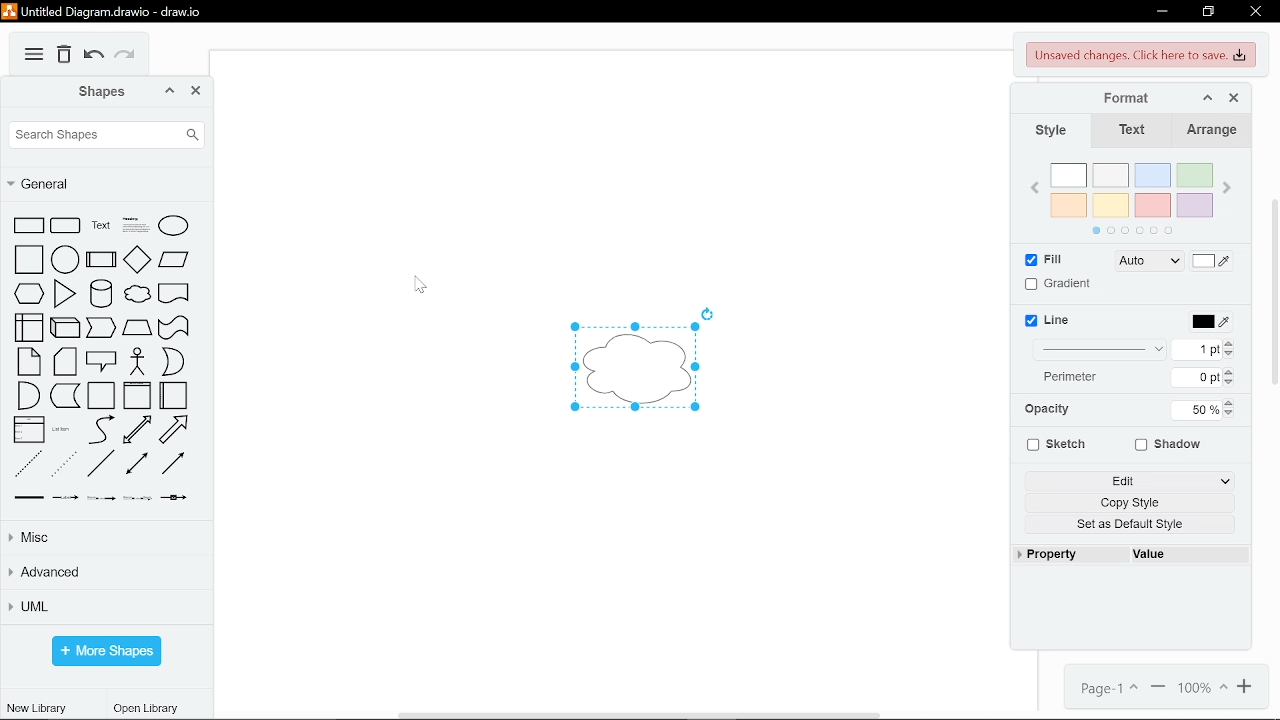 The height and width of the screenshot is (720, 1280). What do you see at coordinates (1053, 408) in the screenshot?
I see `Indicates input for opacity` at bounding box center [1053, 408].